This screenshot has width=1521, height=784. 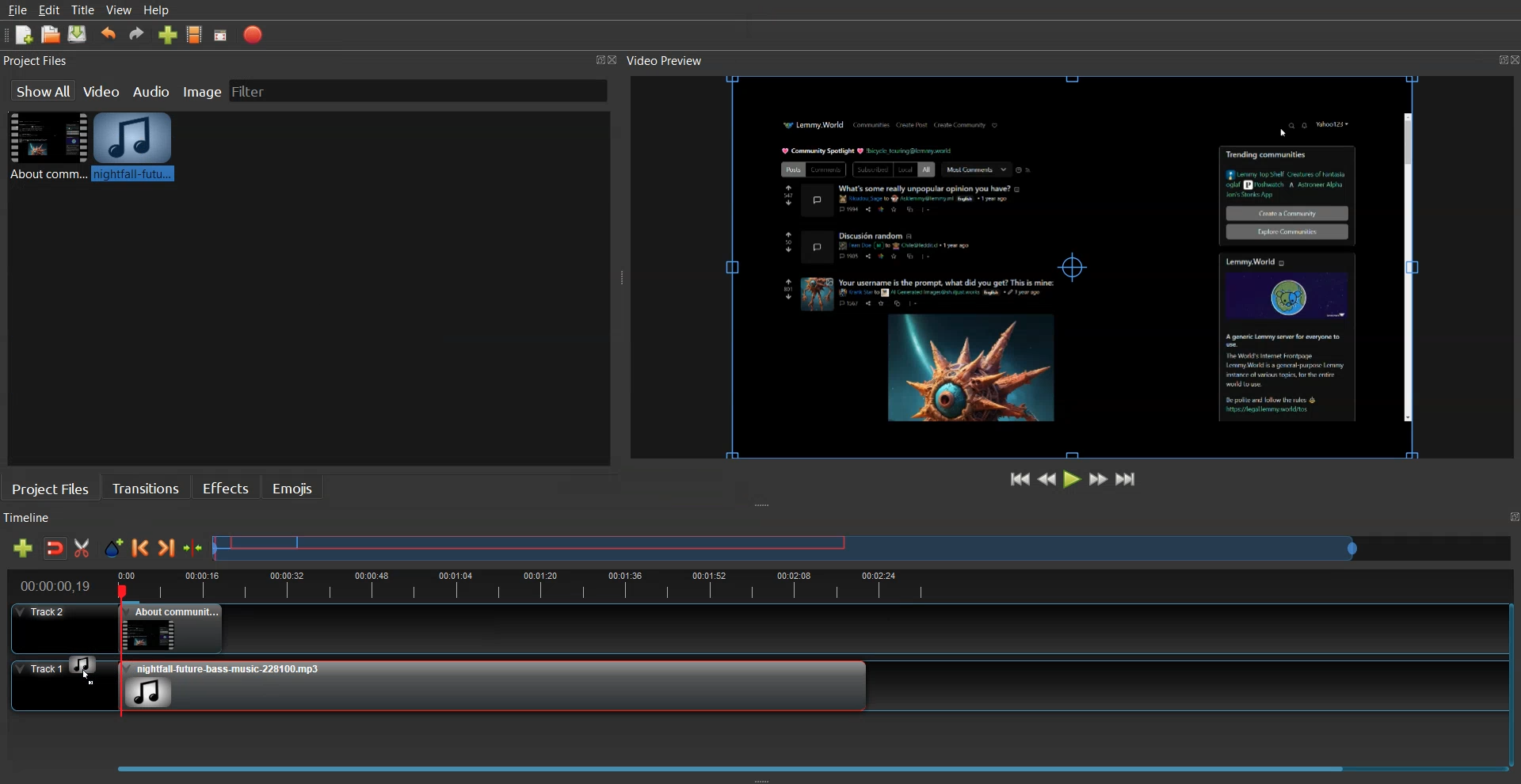 I want to click on Track 1, so click(x=53, y=687).